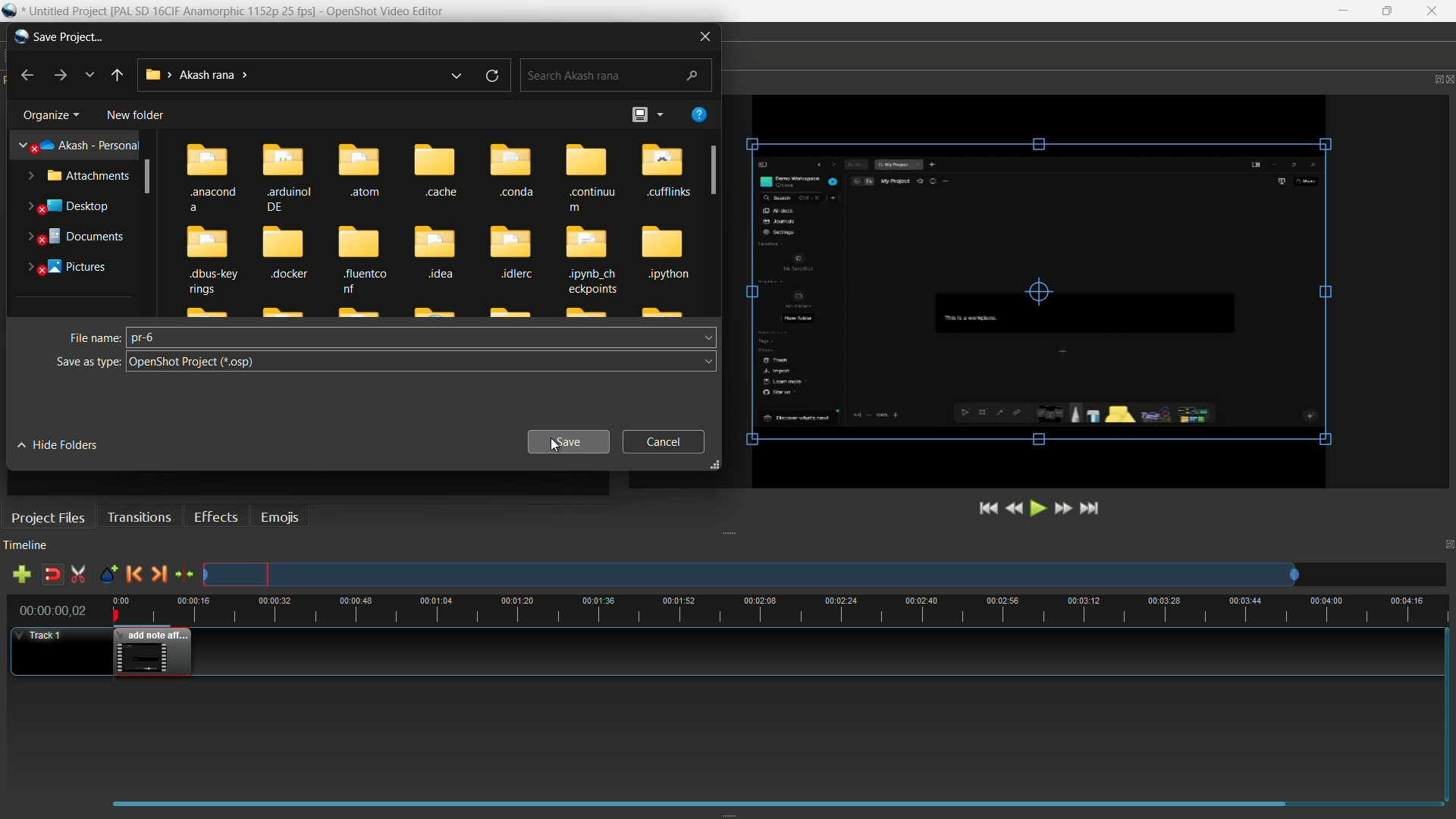 This screenshot has width=1456, height=819. What do you see at coordinates (704, 35) in the screenshot?
I see `close window` at bounding box center [704, 35].